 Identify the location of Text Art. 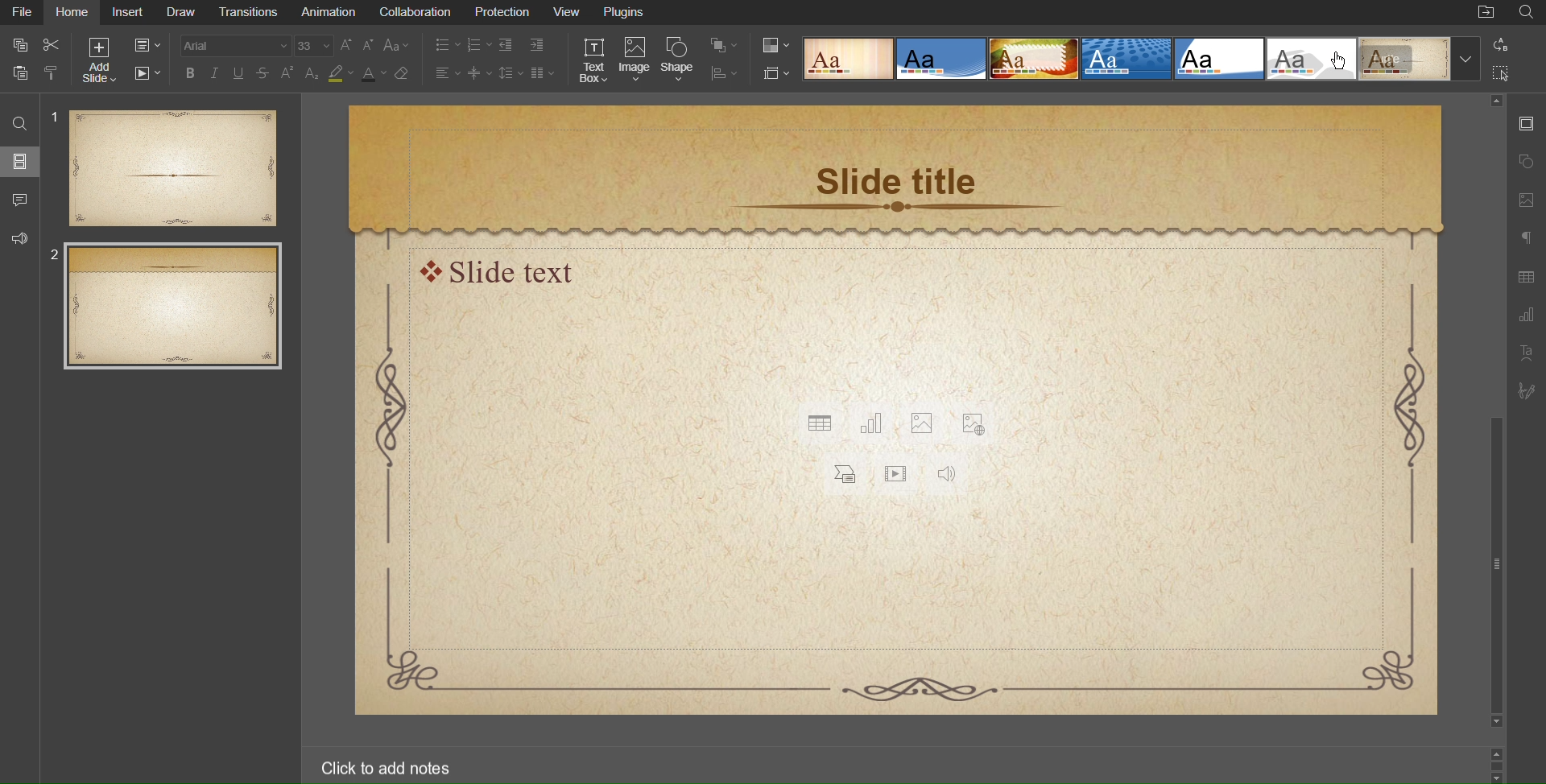
(1525, 353).